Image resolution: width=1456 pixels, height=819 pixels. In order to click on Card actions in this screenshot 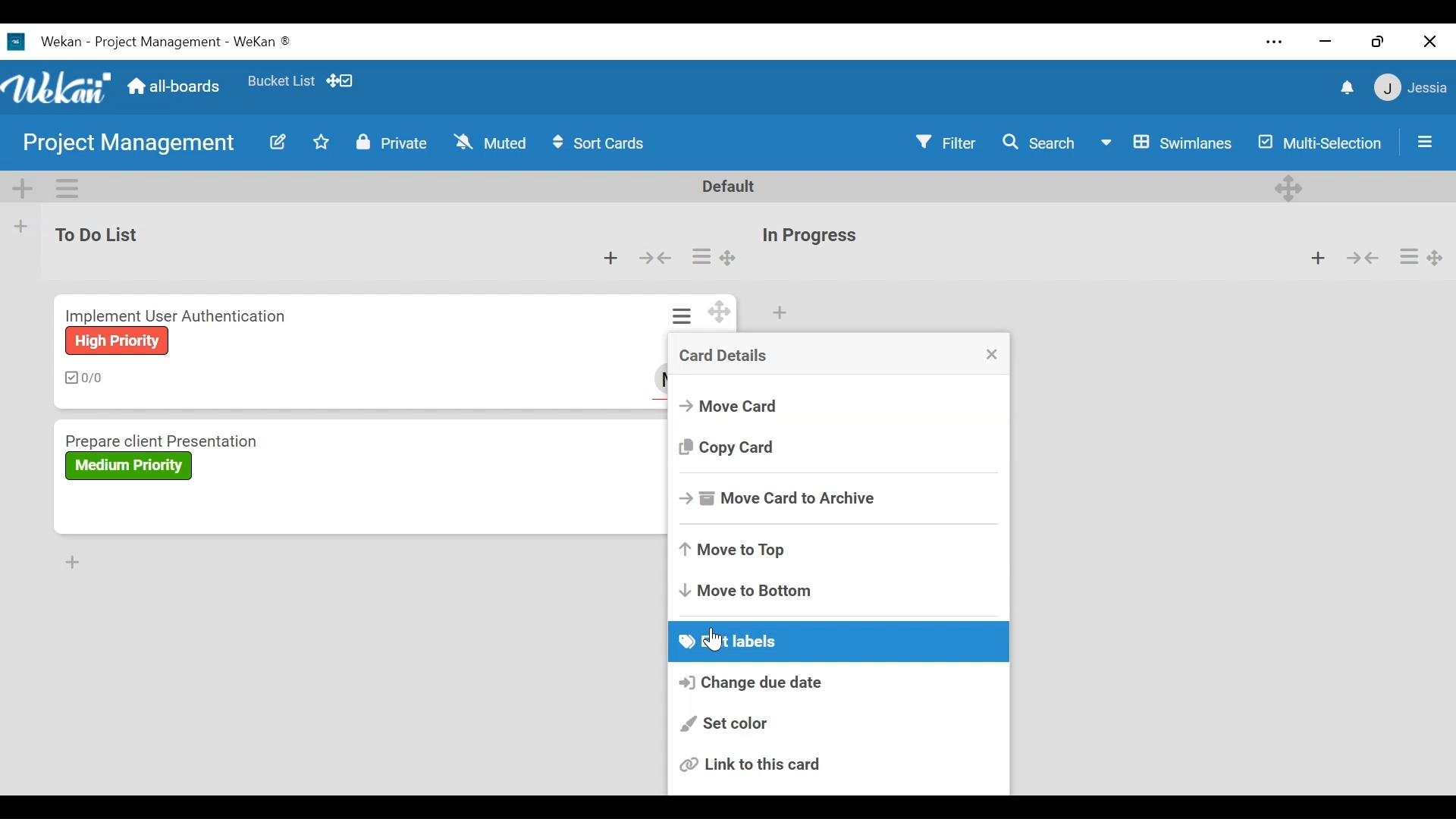, I will do `click(1407, 257)`.